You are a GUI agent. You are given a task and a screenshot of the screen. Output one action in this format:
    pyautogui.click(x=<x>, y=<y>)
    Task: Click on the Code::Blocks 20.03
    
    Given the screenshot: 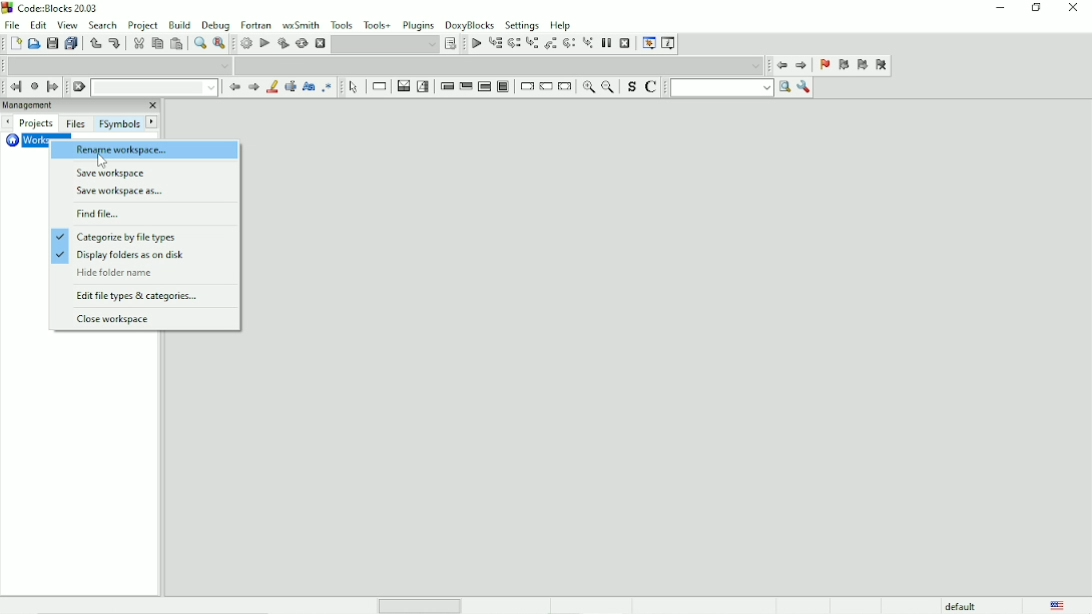 What is the action you would take?
    pyautogui.click(x=51, y=8)
    